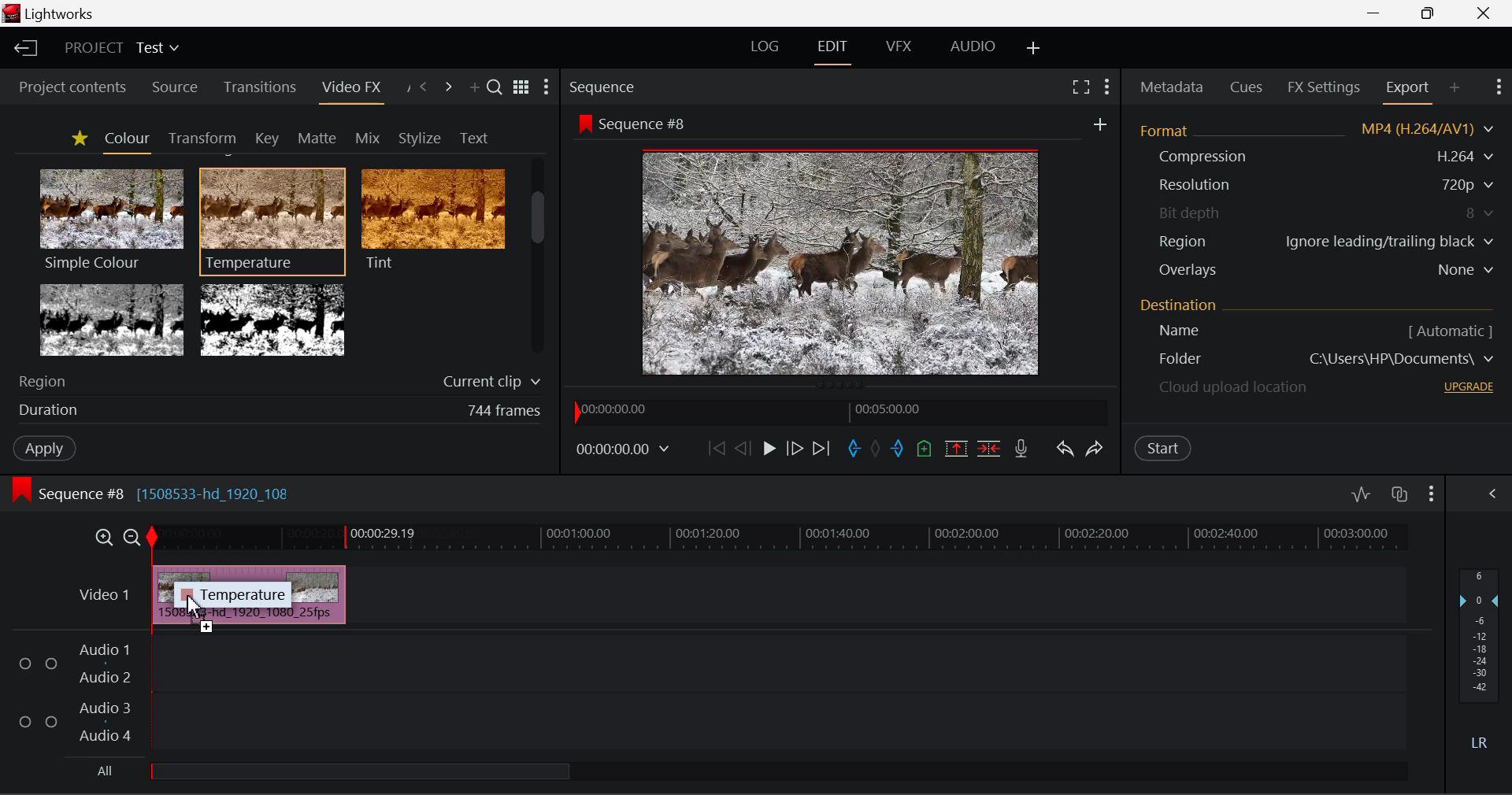 Image resolution: width=1512 pixels, height=795 pixels. What do you see at coordinates (825, 449) in the screenshot?
I see `To End` at bounding box center [825, 449].